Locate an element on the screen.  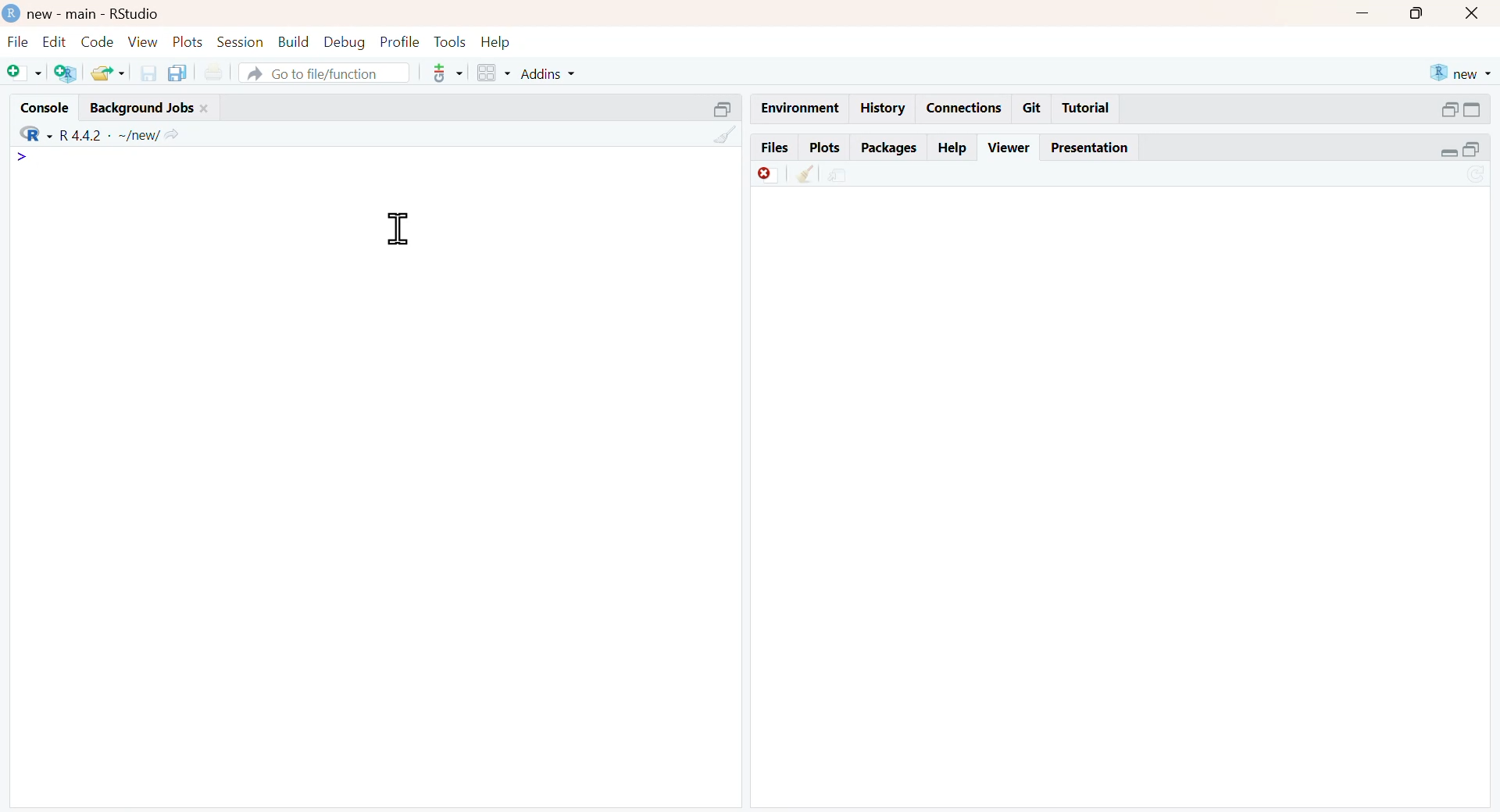
Files is located at coordinates (770, 146).